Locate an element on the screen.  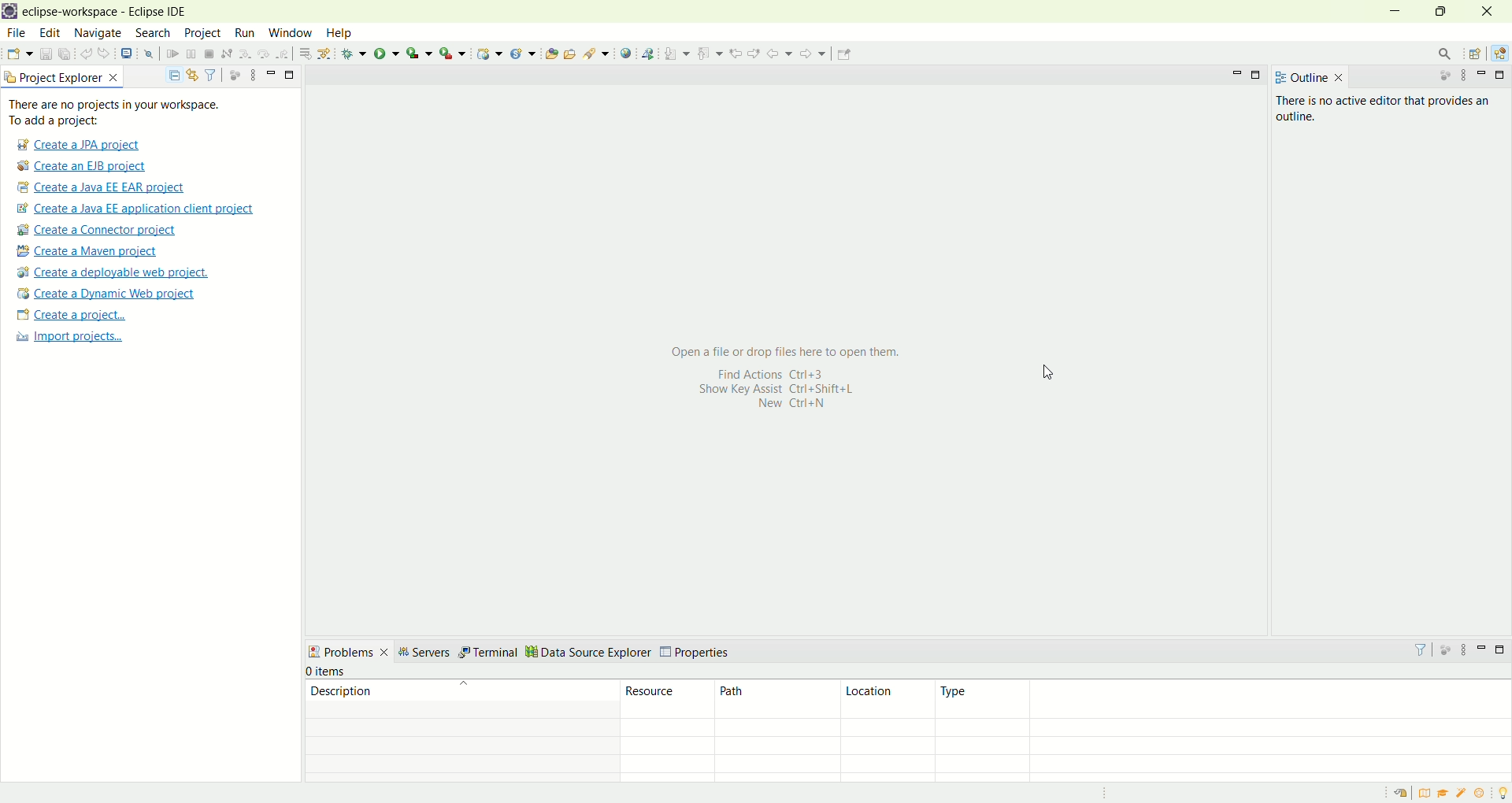
view menu is located at coordinates (1462, 76).